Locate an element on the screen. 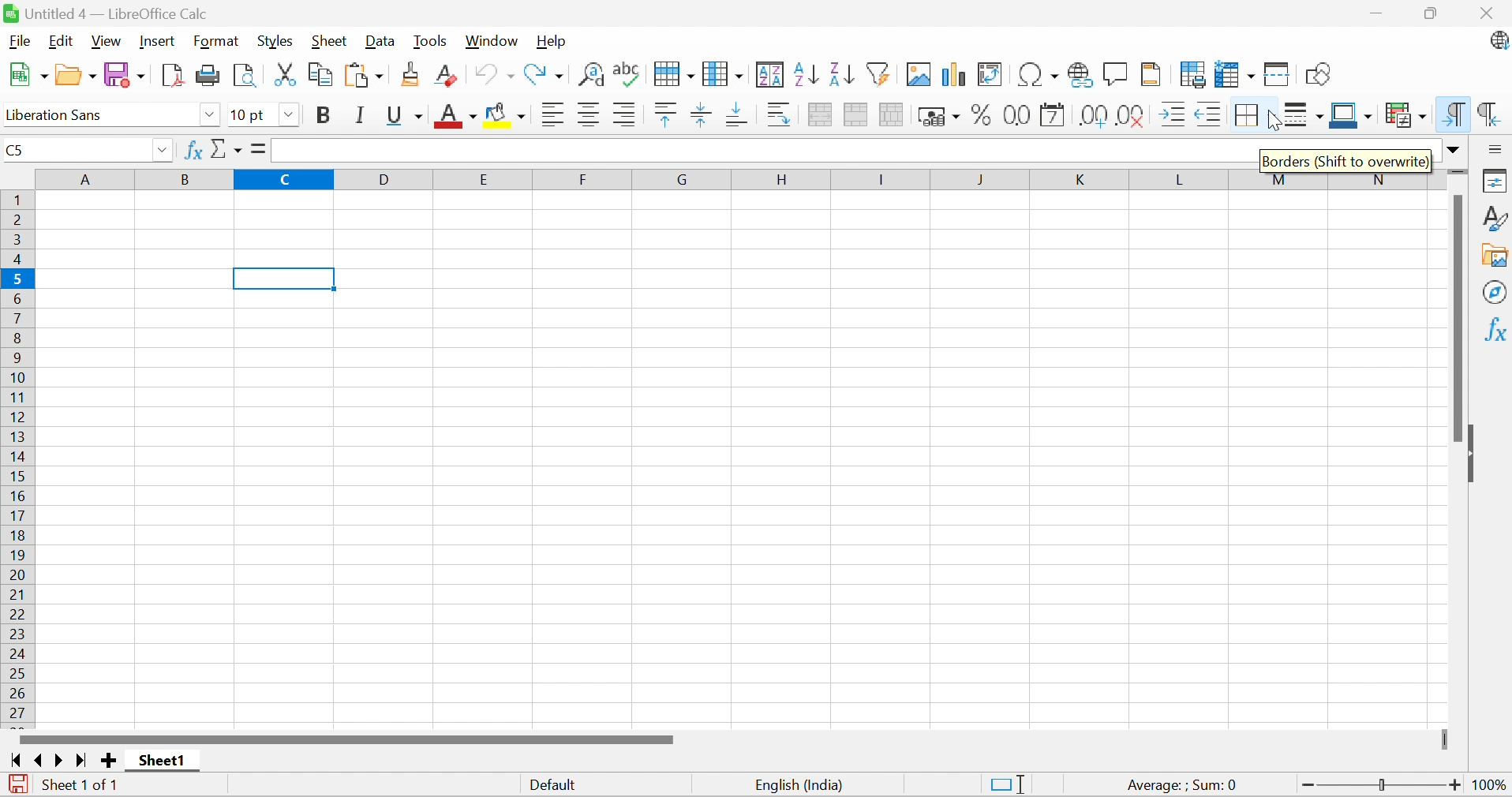 This screenshot has width=1512, height=797. Split window is located at coordinates (1278, 76).